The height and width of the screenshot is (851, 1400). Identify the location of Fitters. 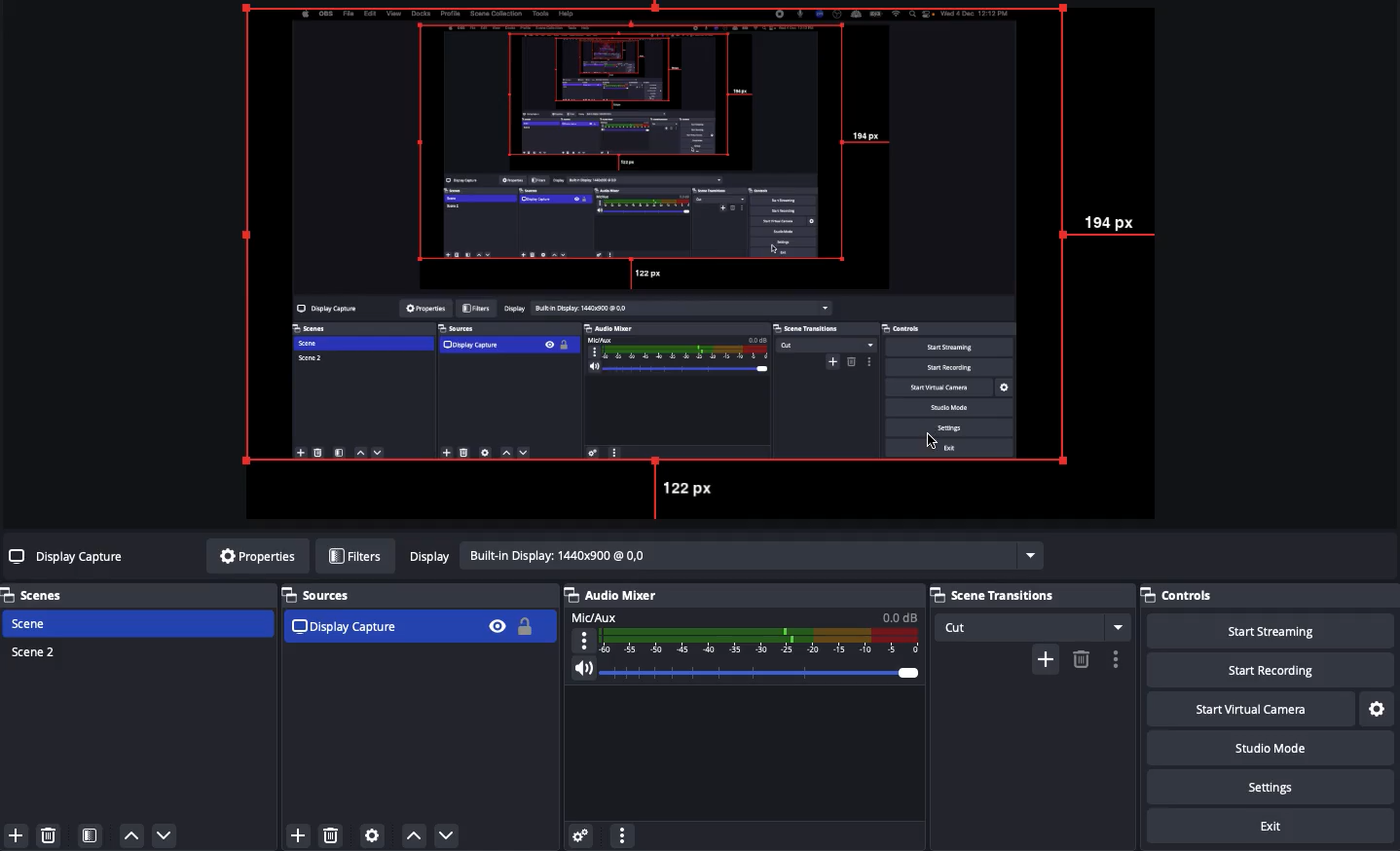
(355, 556).